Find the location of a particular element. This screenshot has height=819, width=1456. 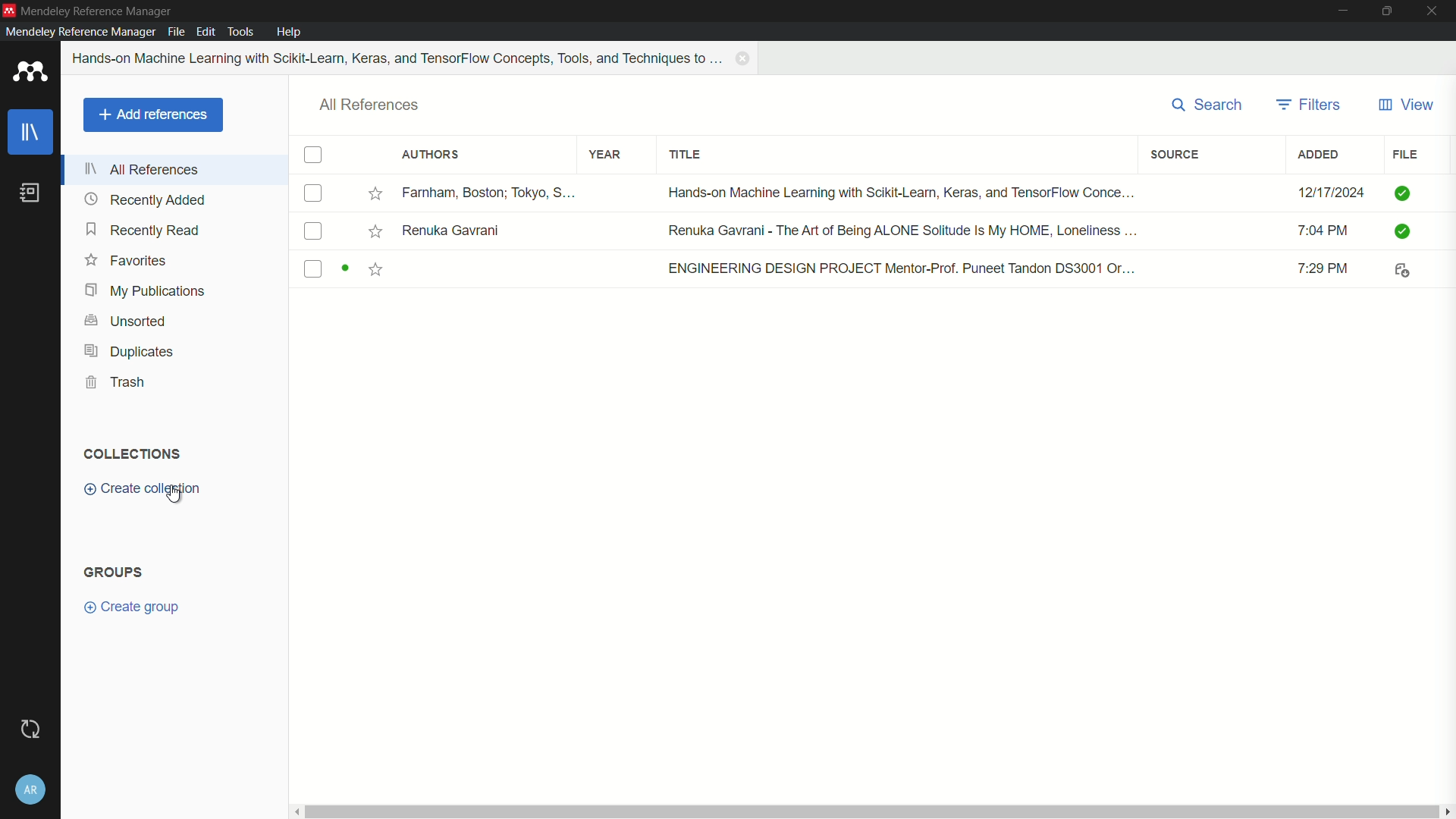

file menu is located at coordinates (176, 31).